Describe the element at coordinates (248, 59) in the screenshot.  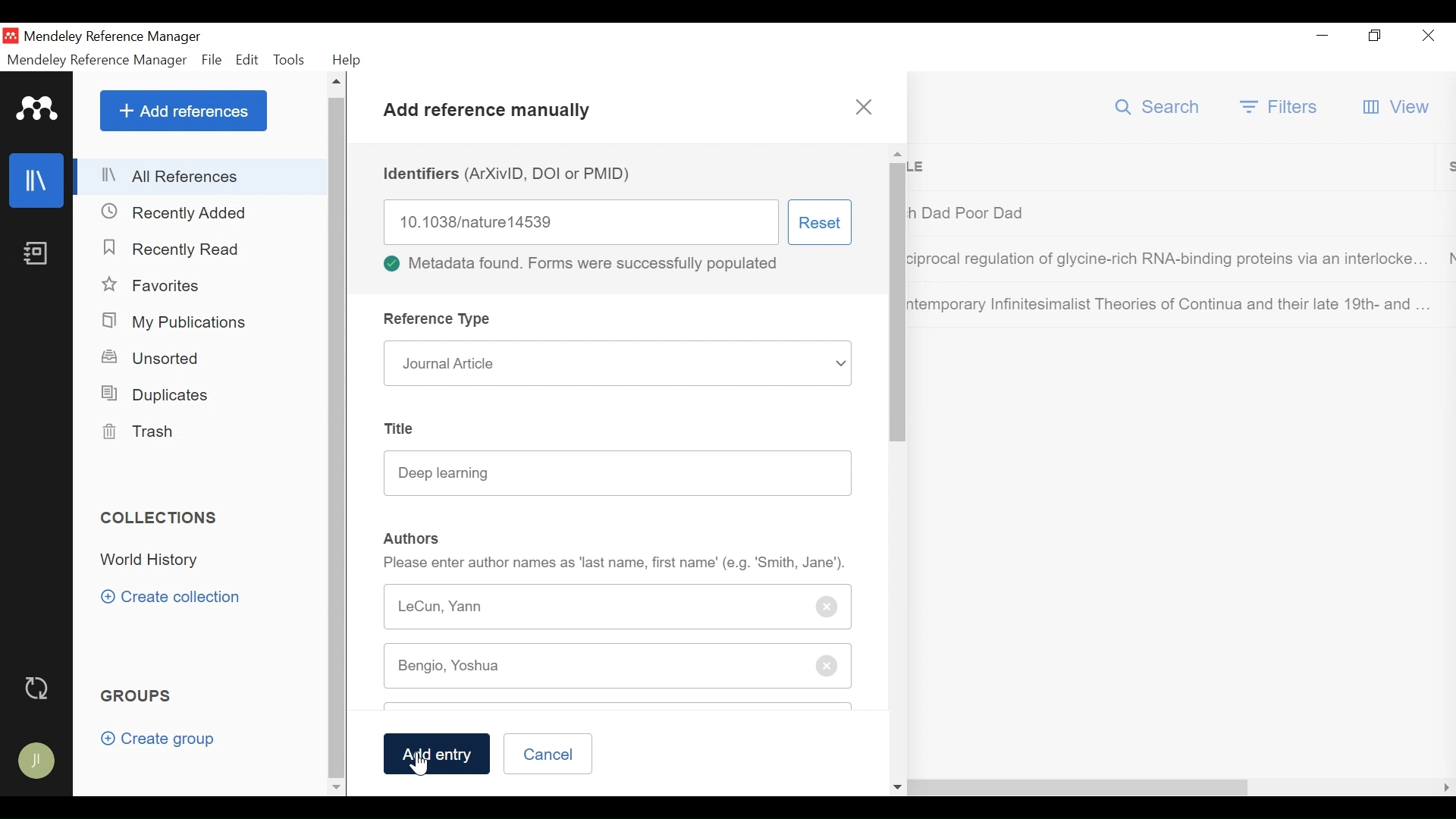
I see `Edit` at that location.